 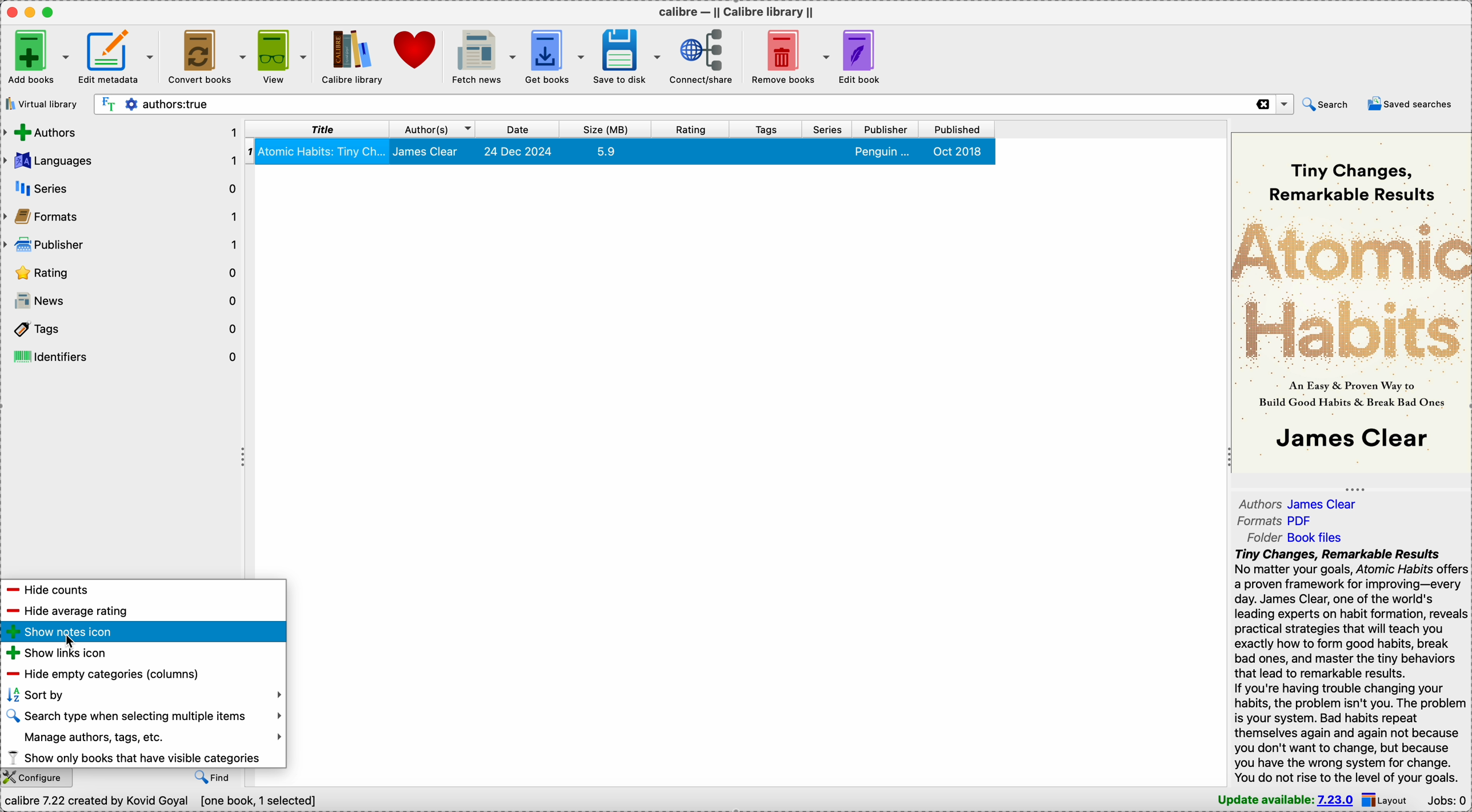 I want to click on identifiers, so click(x=123, y=354).